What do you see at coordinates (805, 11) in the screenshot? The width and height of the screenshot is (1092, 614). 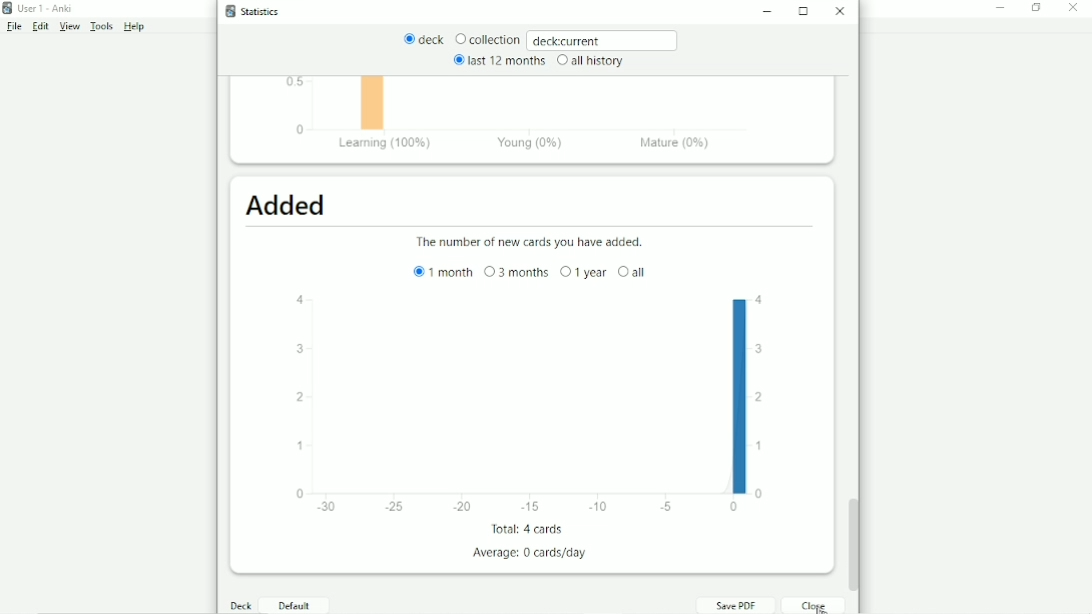 I see `Maximize` at bounding box center [805, 11].